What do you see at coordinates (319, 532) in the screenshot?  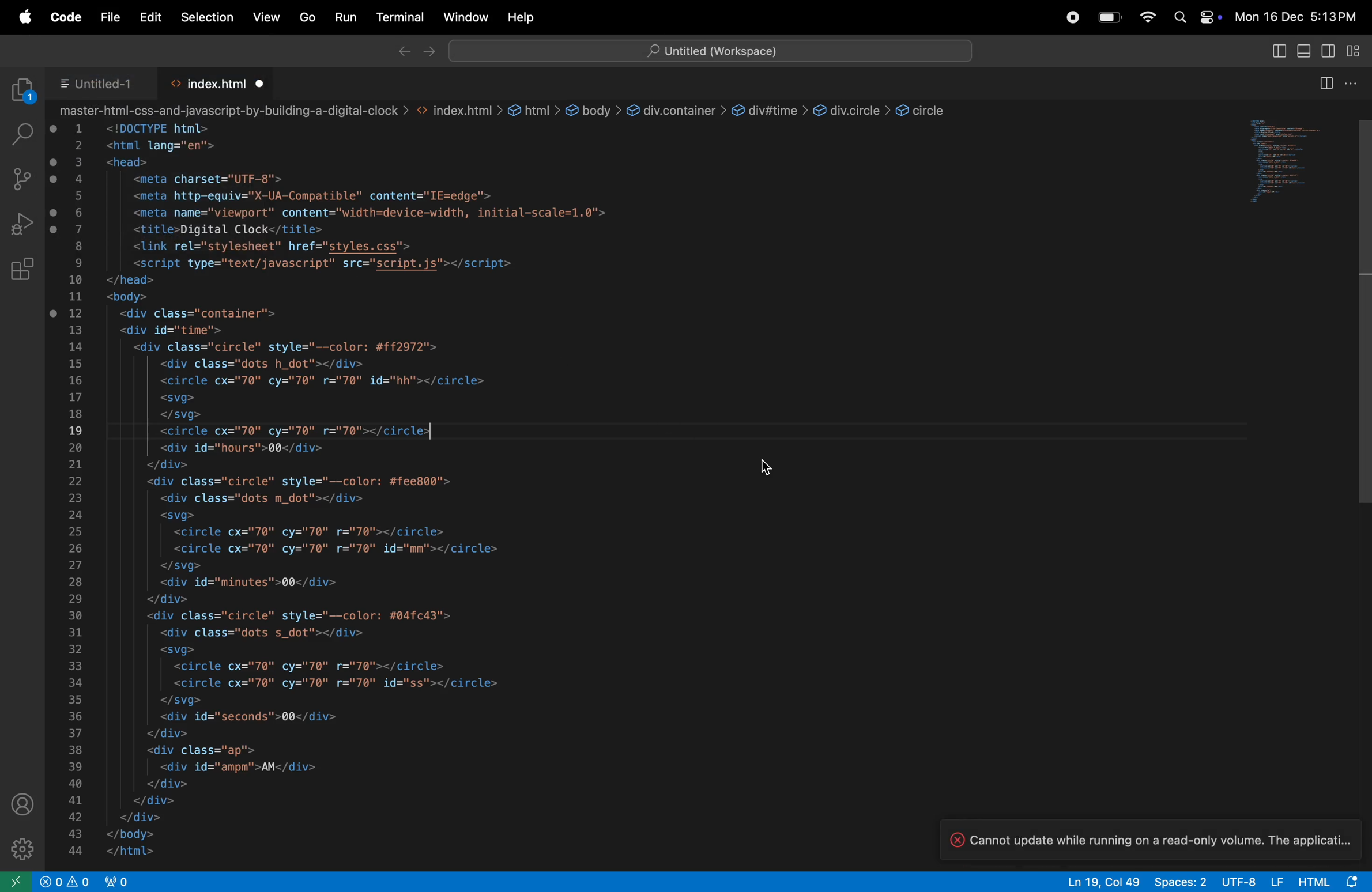 I see `<circle cx="70" cy="70" r="70"></circle>` at bounding box center [319, 532].